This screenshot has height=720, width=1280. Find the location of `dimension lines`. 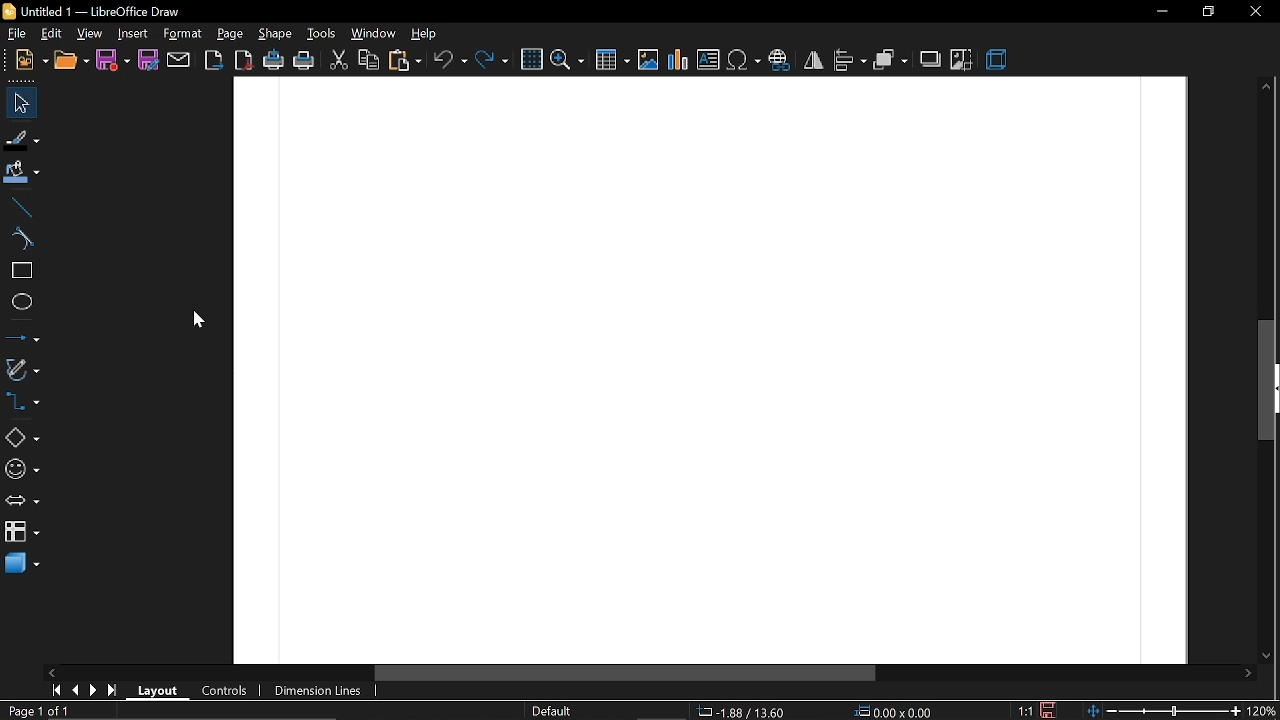

dimension lines is located at coordinates (322, 691).